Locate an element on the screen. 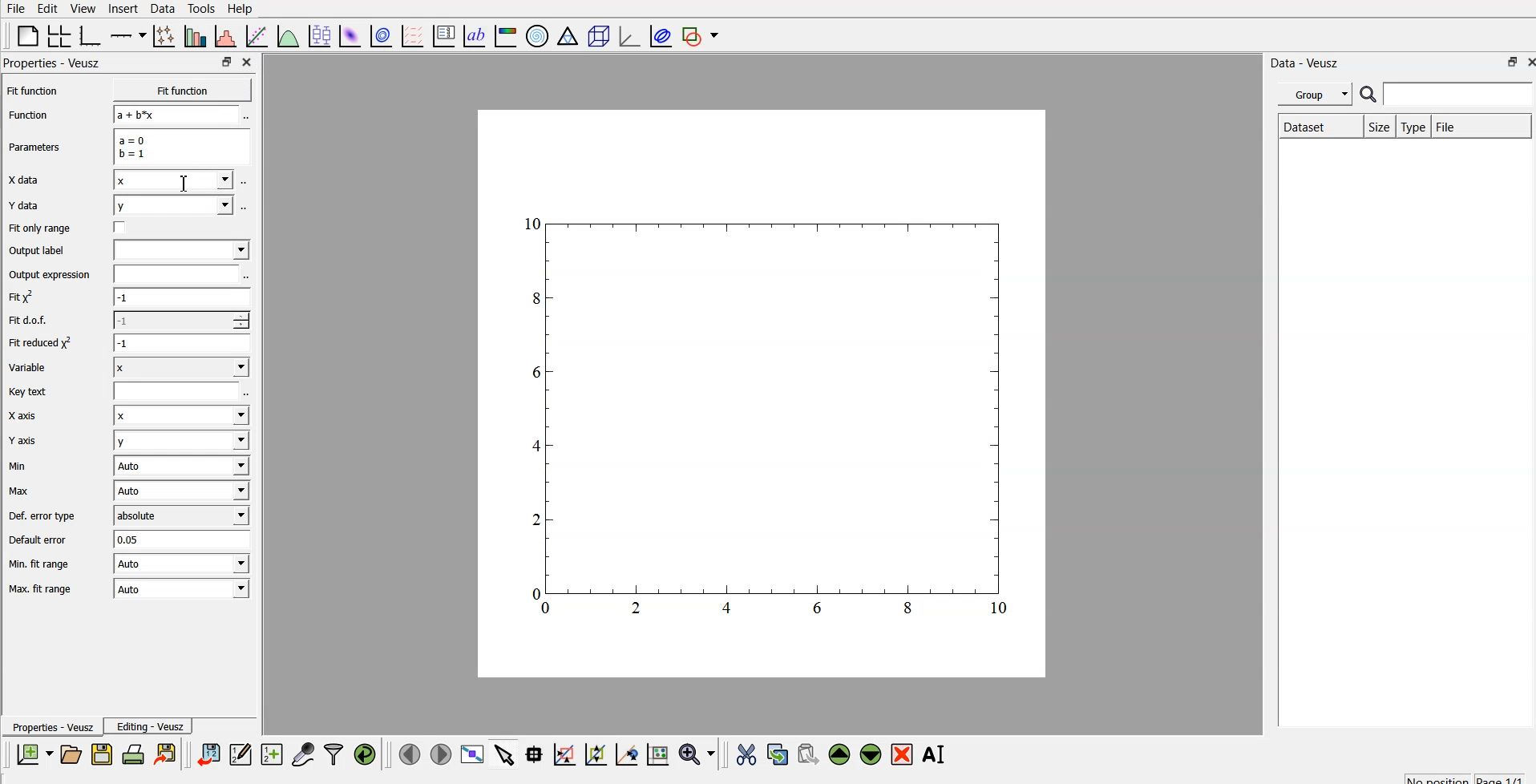 The width and height of the screenshot is (1536, 784). cursor is located at coordinates (182, 183).